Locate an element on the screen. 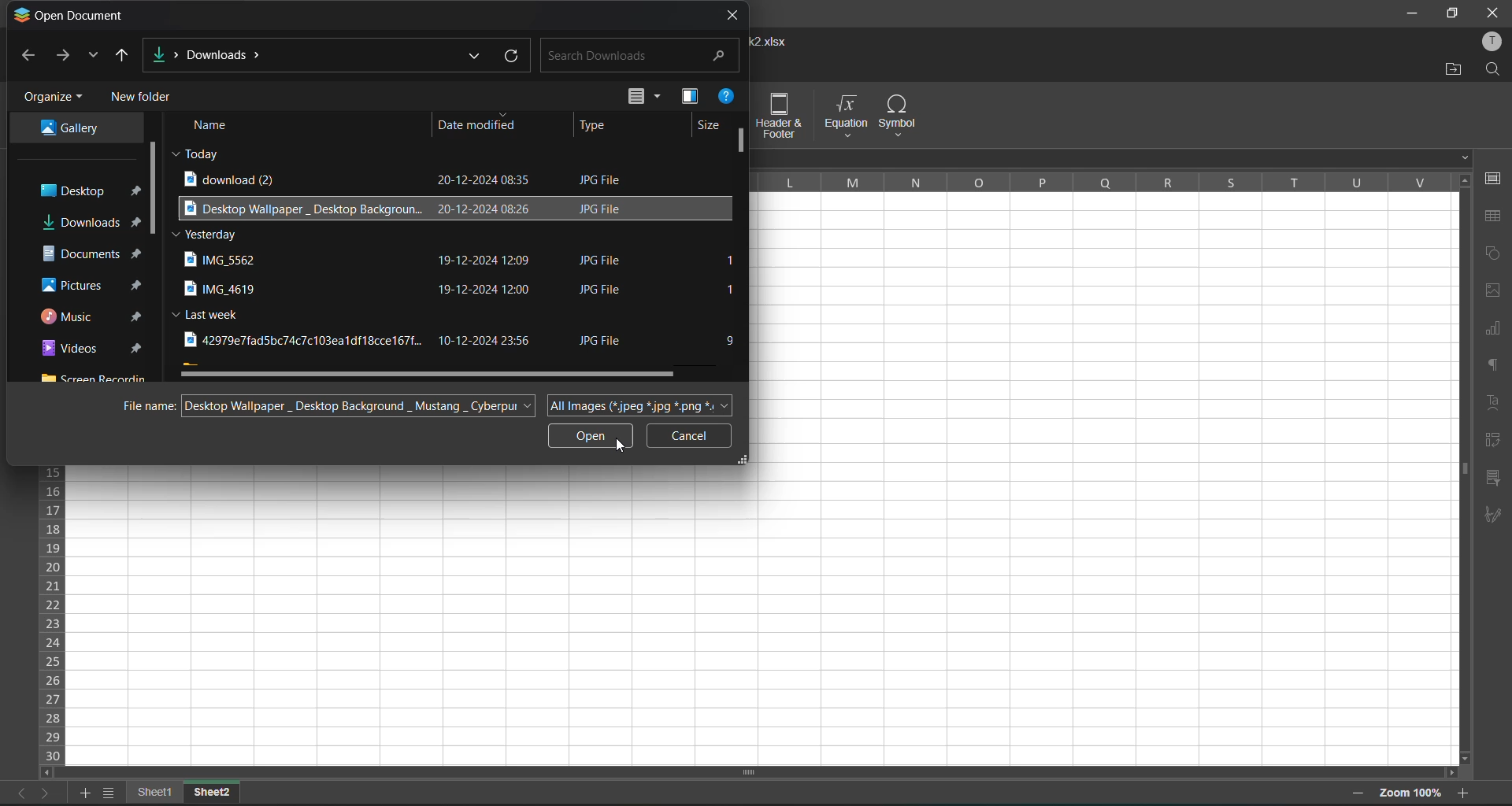 This screenshot has width=1512, height=806. vertical scroll bar is located at coordinates (156, 190).